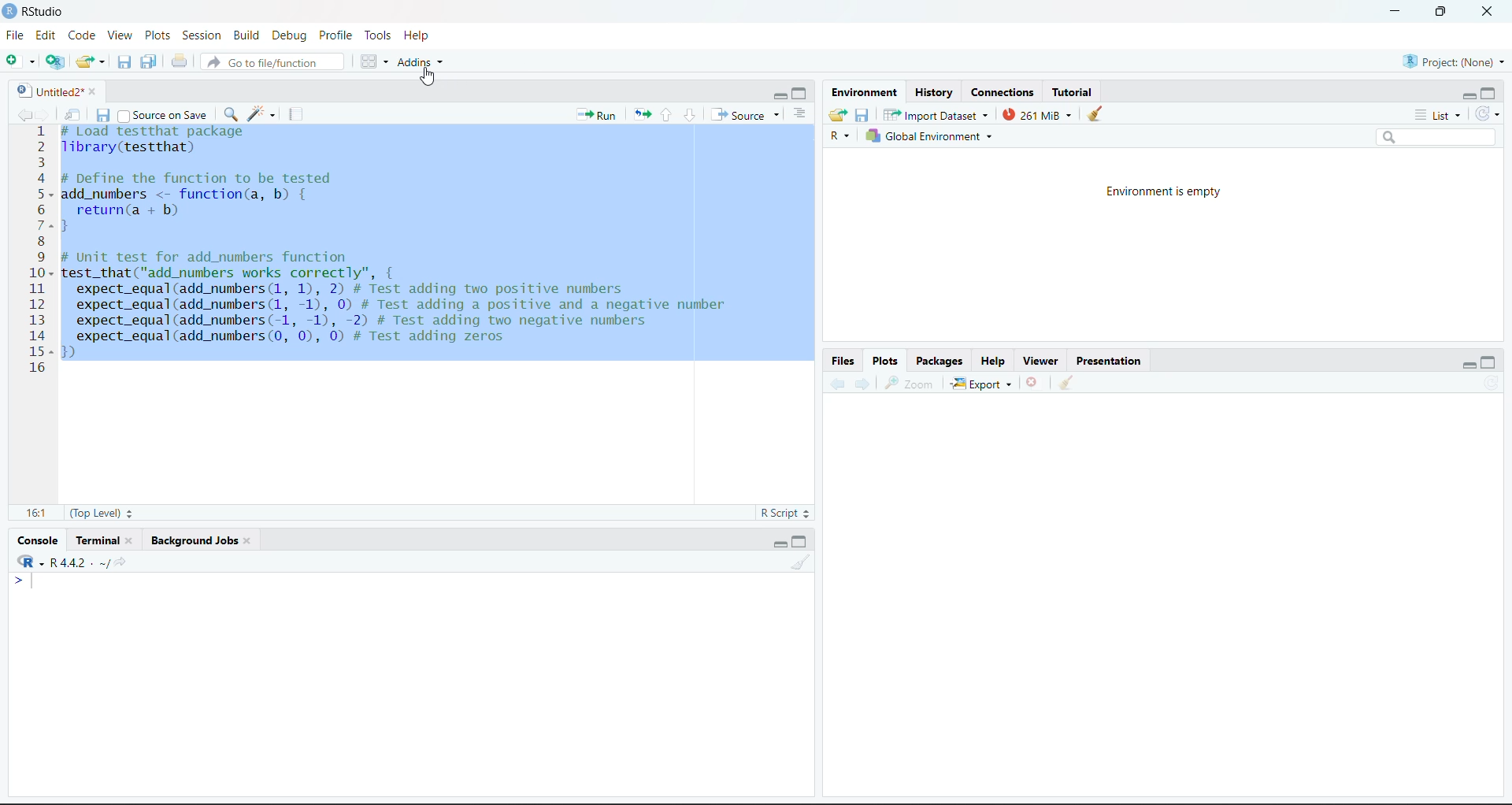 This screenshot has width=1512, height=805. I want to click on cursor, so click(428, 77).